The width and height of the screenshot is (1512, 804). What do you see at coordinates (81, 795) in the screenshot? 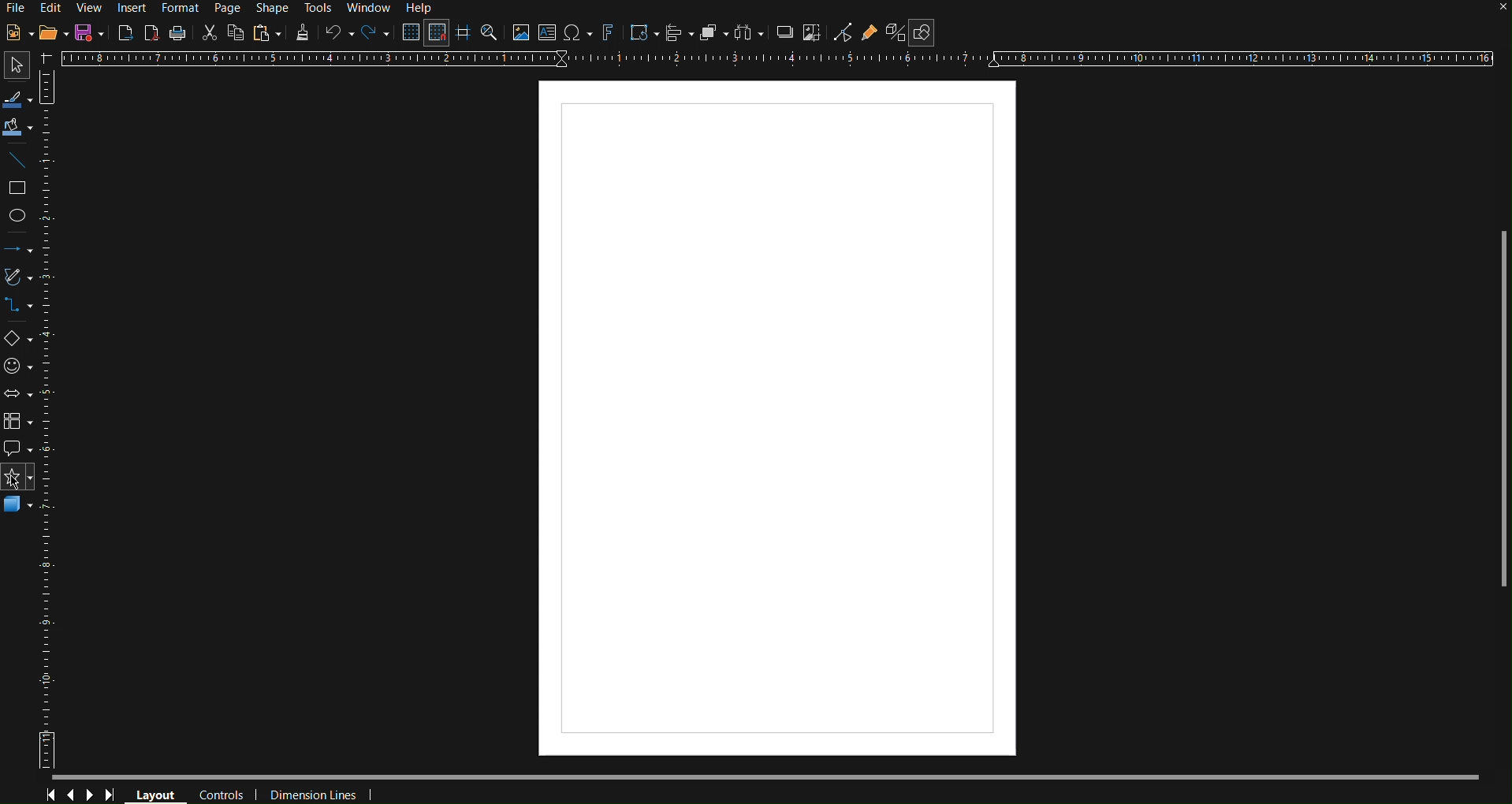
I see `Controls` at bounding box center [81, 795].